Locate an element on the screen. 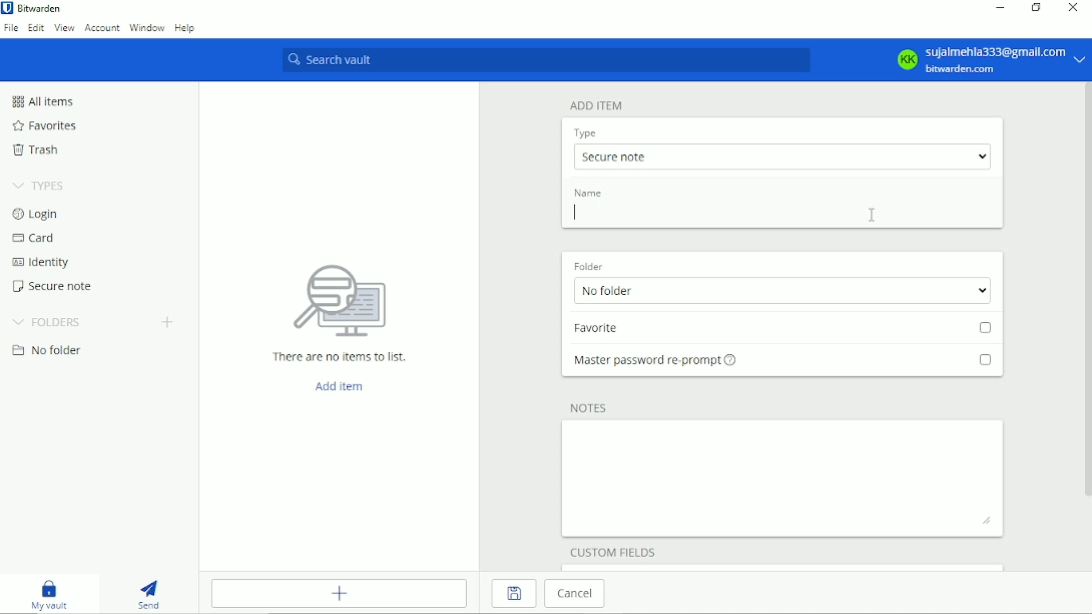 The height and width of the screenshot is (614, 1092). Vertical scrollbar is located at coordinates (1085, 295).